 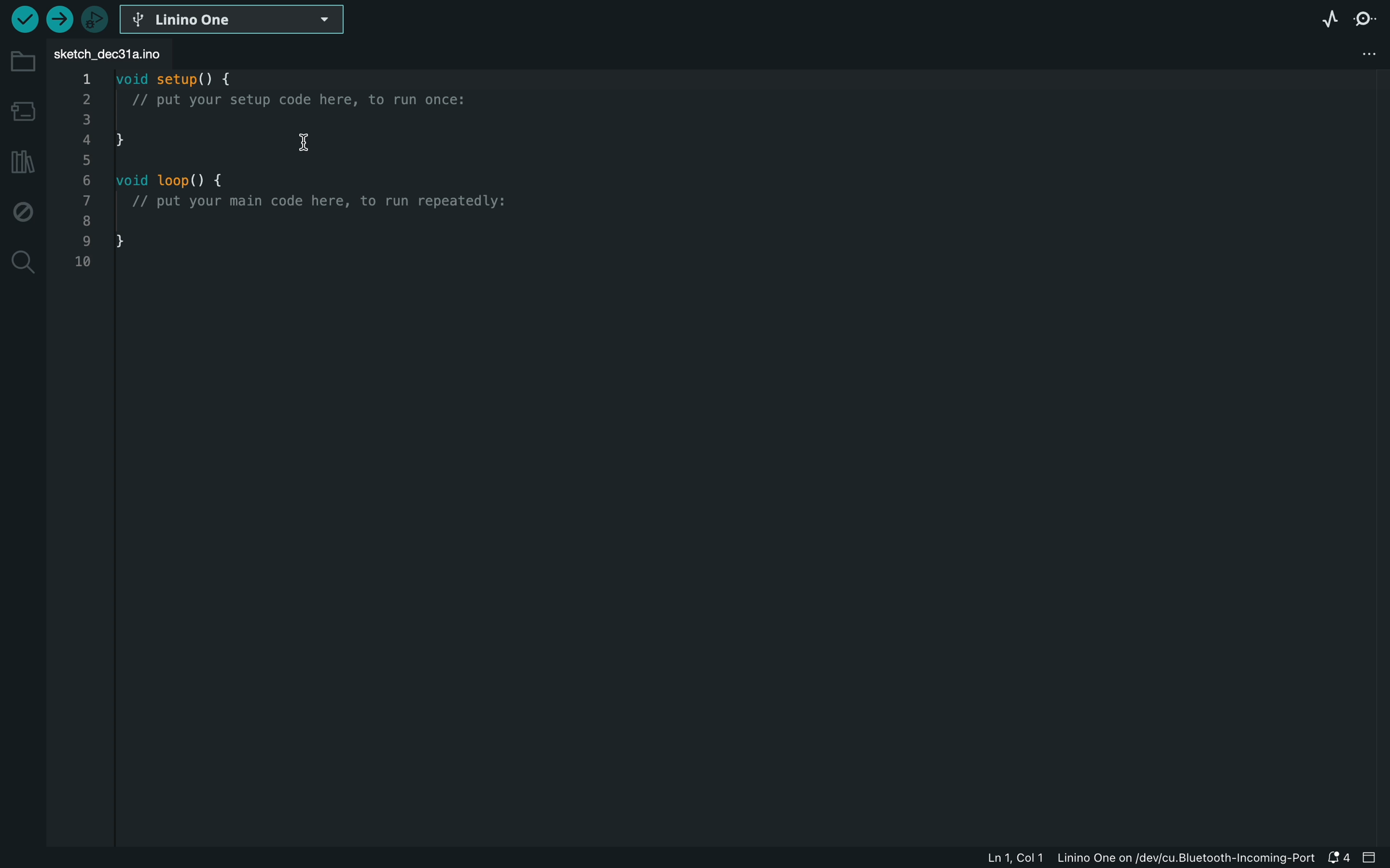 I want to click on cursor, so click(x=312, y=142).